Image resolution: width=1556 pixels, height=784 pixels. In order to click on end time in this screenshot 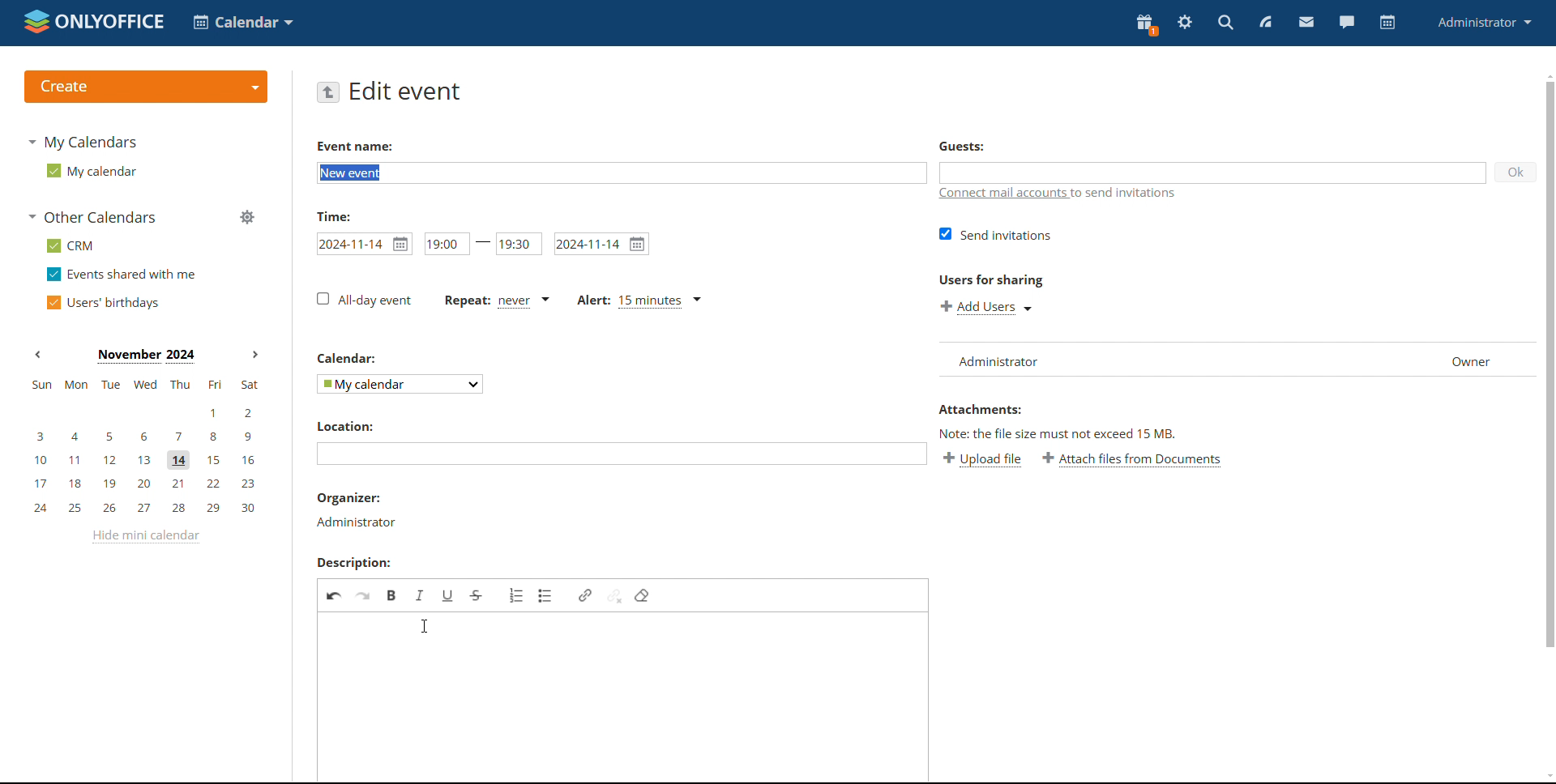, I will do `click(520, 244)`.